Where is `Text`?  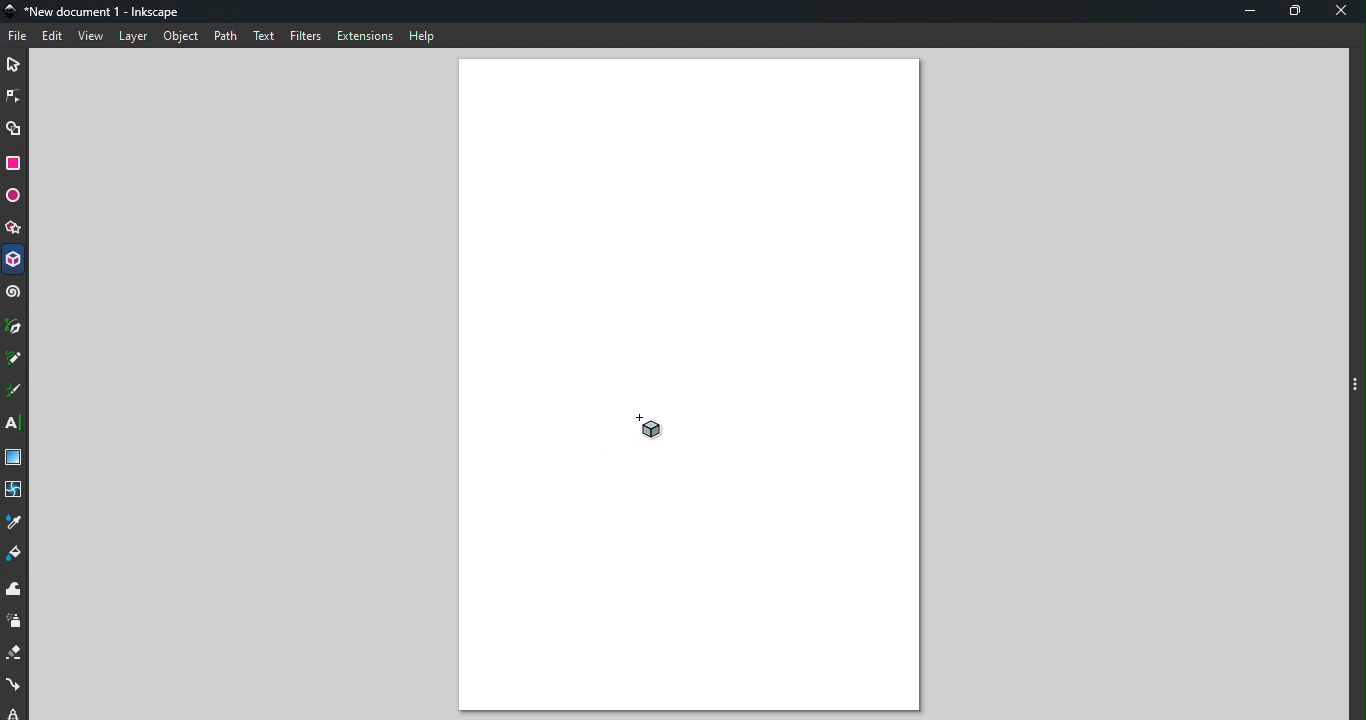 Text is located at coordinates (265, 37).